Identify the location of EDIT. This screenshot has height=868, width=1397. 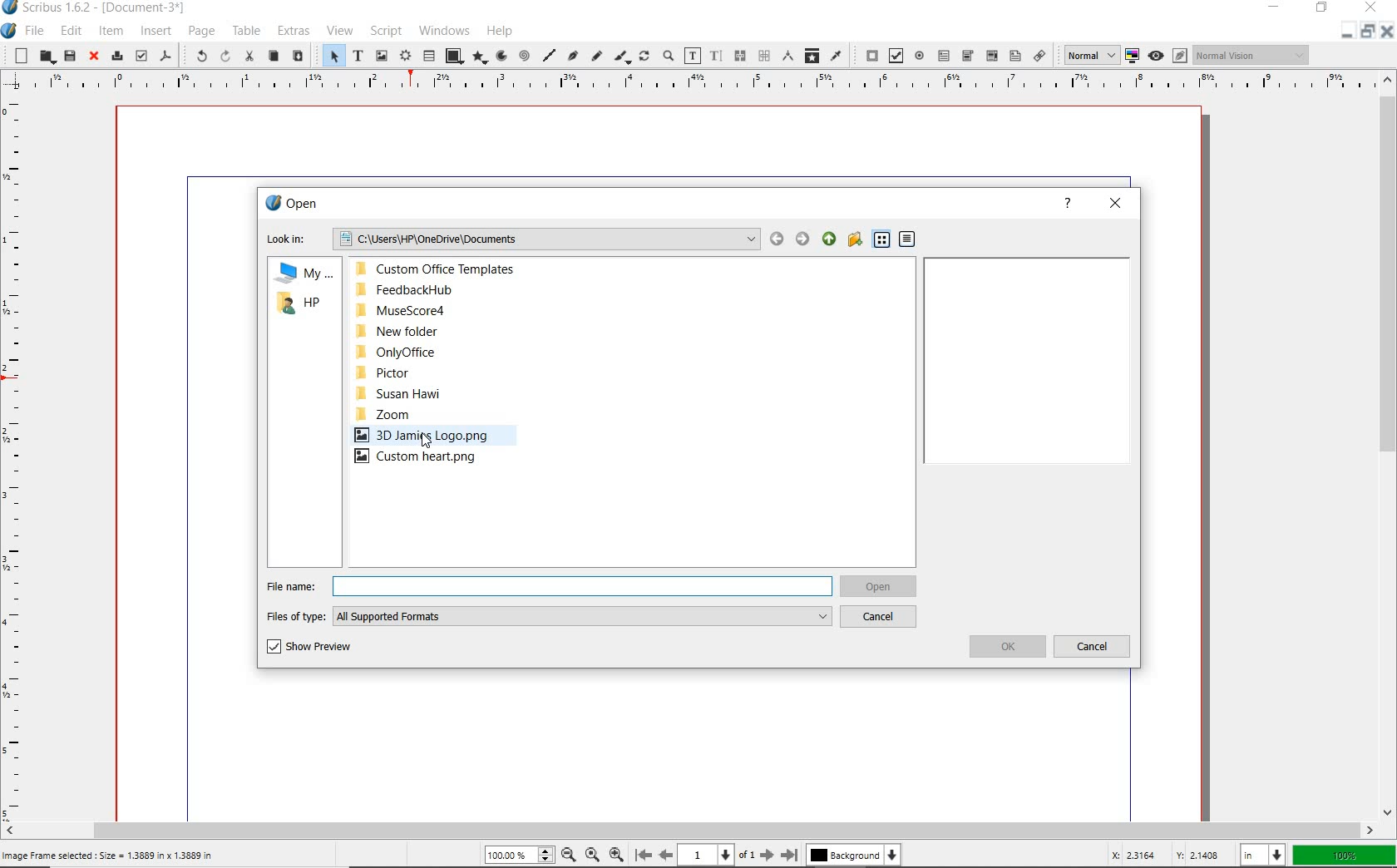
(71, 31).